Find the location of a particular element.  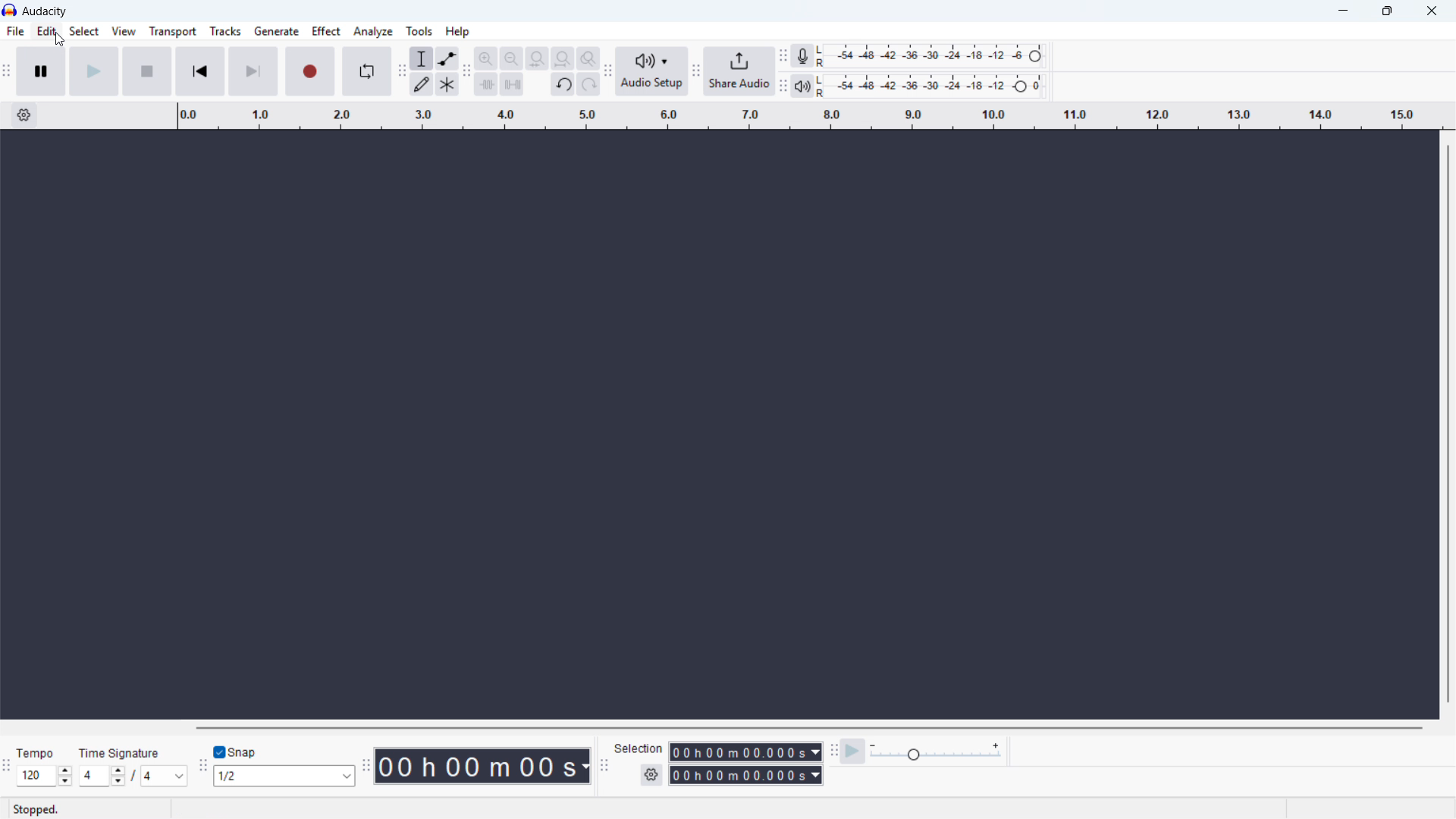

title is located at coordinates (45, 11).